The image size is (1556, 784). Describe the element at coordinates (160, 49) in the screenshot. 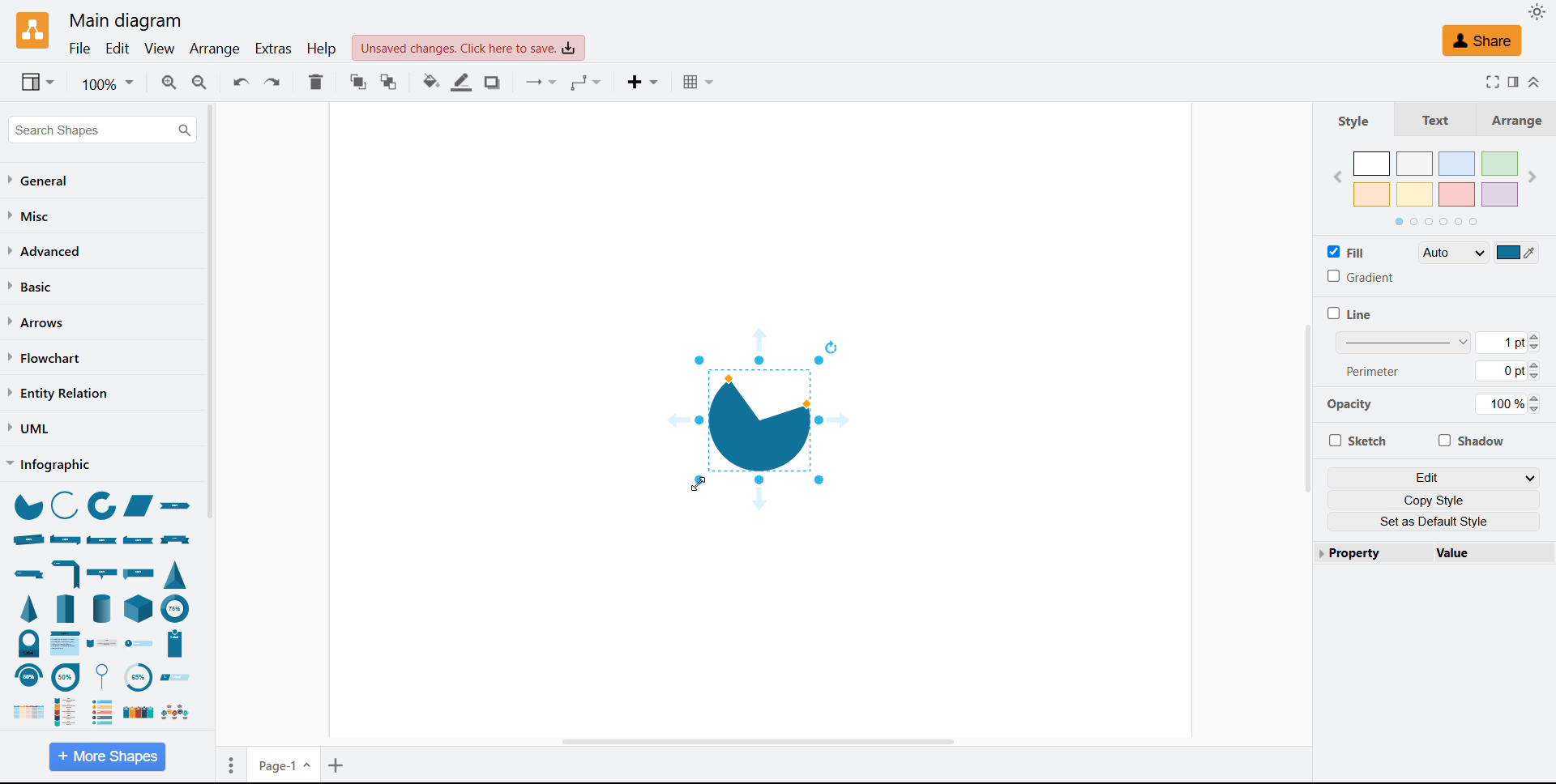

I see `View ` at that location.